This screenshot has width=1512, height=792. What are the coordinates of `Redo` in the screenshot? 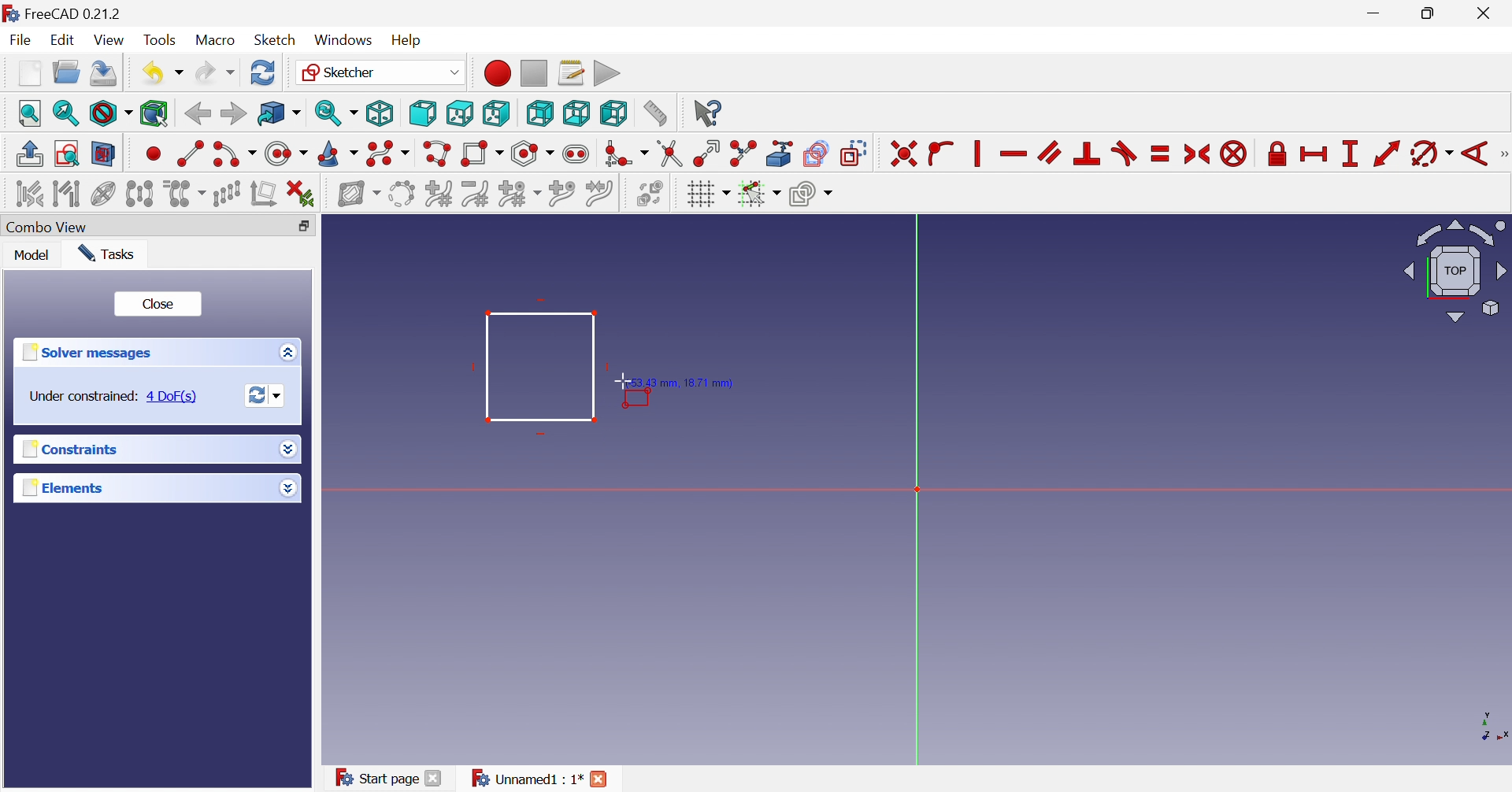 It's located at (215, 73).